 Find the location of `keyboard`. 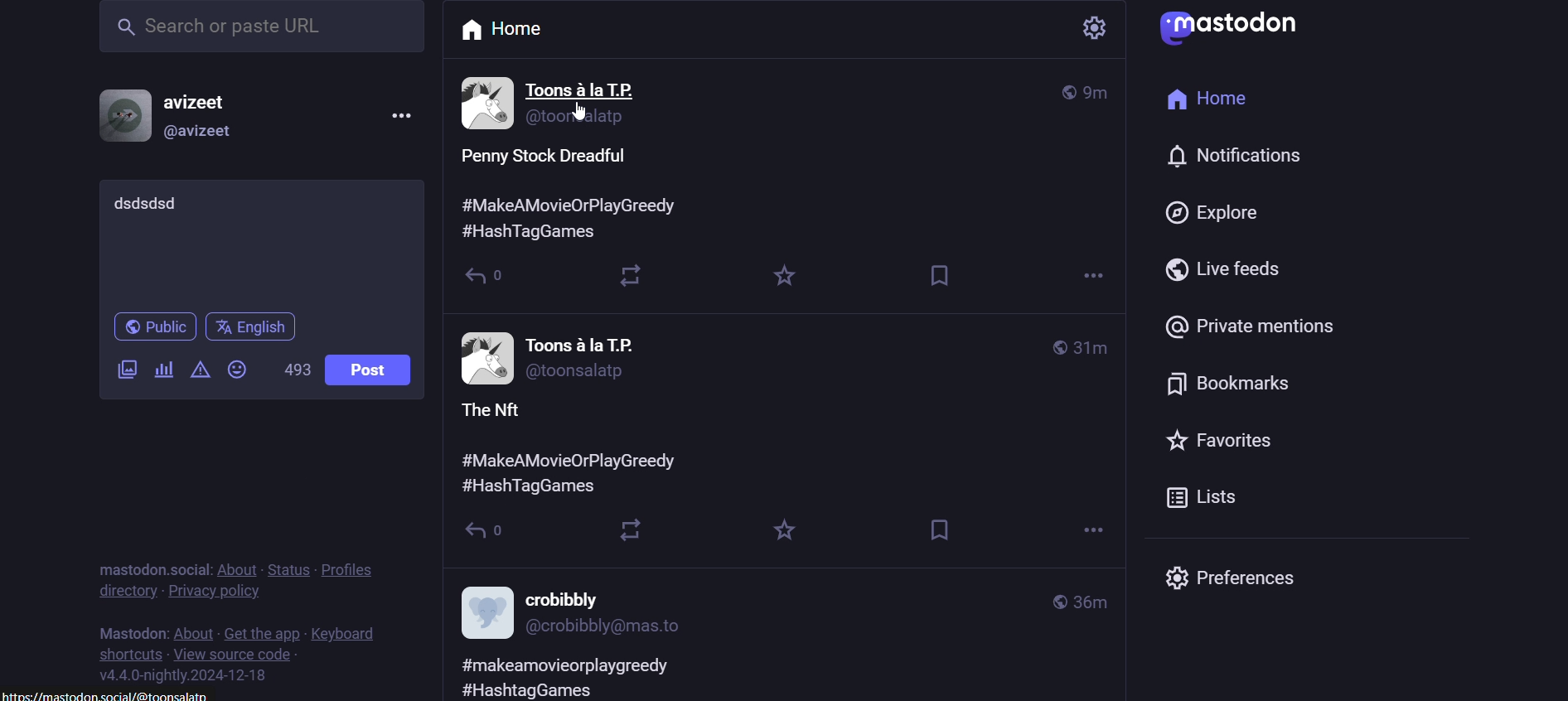

keyboard is located at coordinates (353, 632).